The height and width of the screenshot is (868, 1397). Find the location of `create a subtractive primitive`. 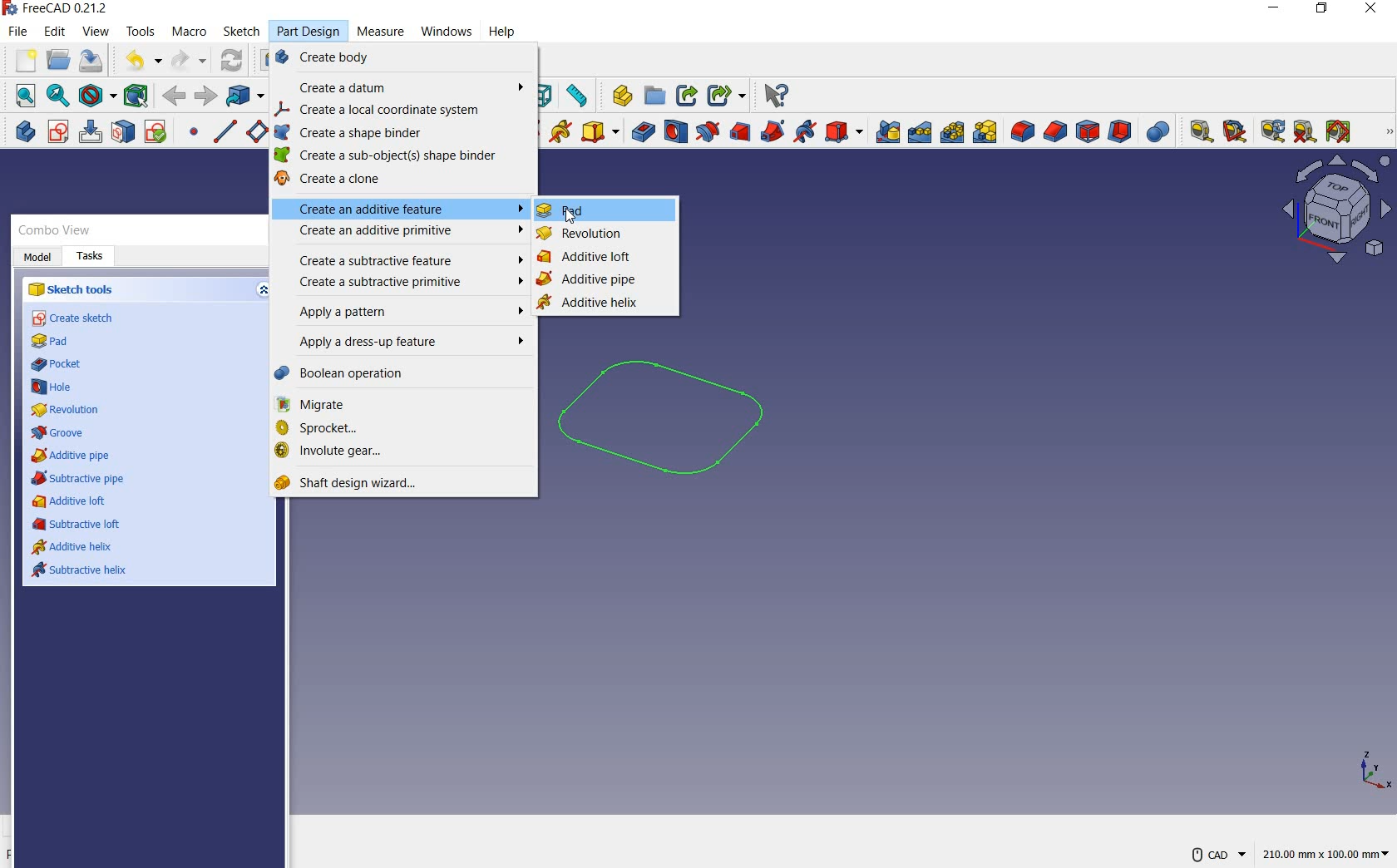

create a subtractive primitive is located at coordinates (406, 281).